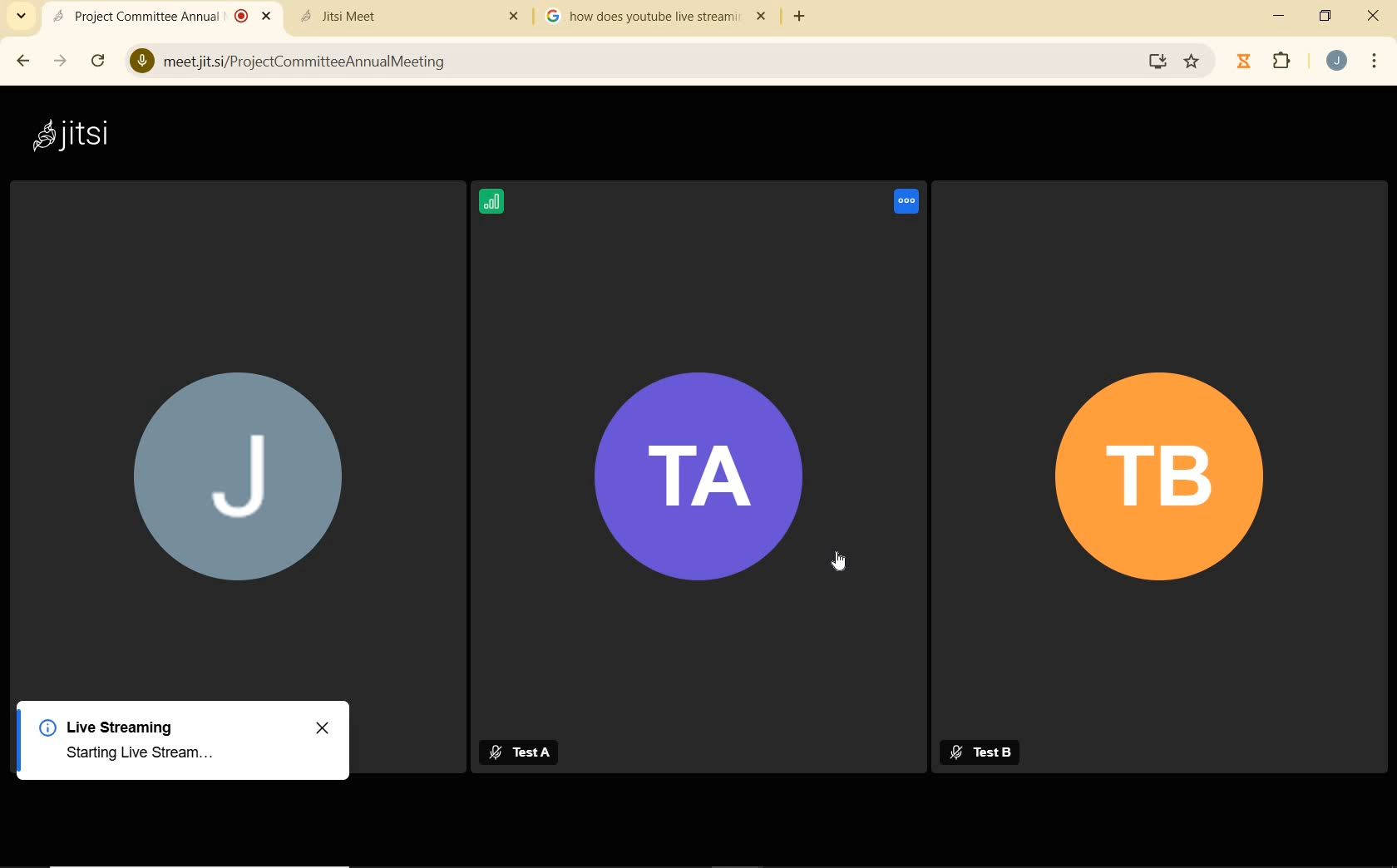  Describe the element at coordinates (1375, 16) in the screenshot. I see `close` at that location.